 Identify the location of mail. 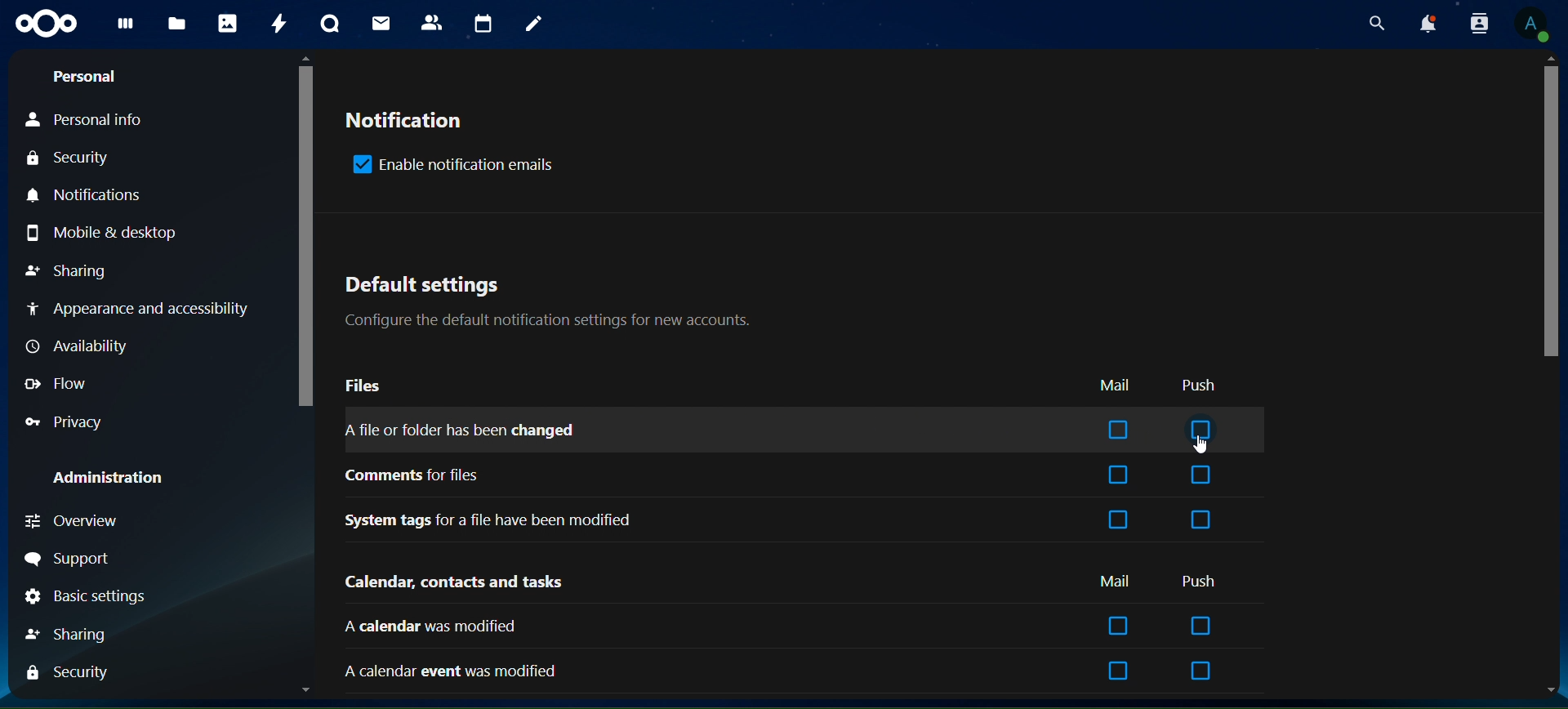
(1117, 583).